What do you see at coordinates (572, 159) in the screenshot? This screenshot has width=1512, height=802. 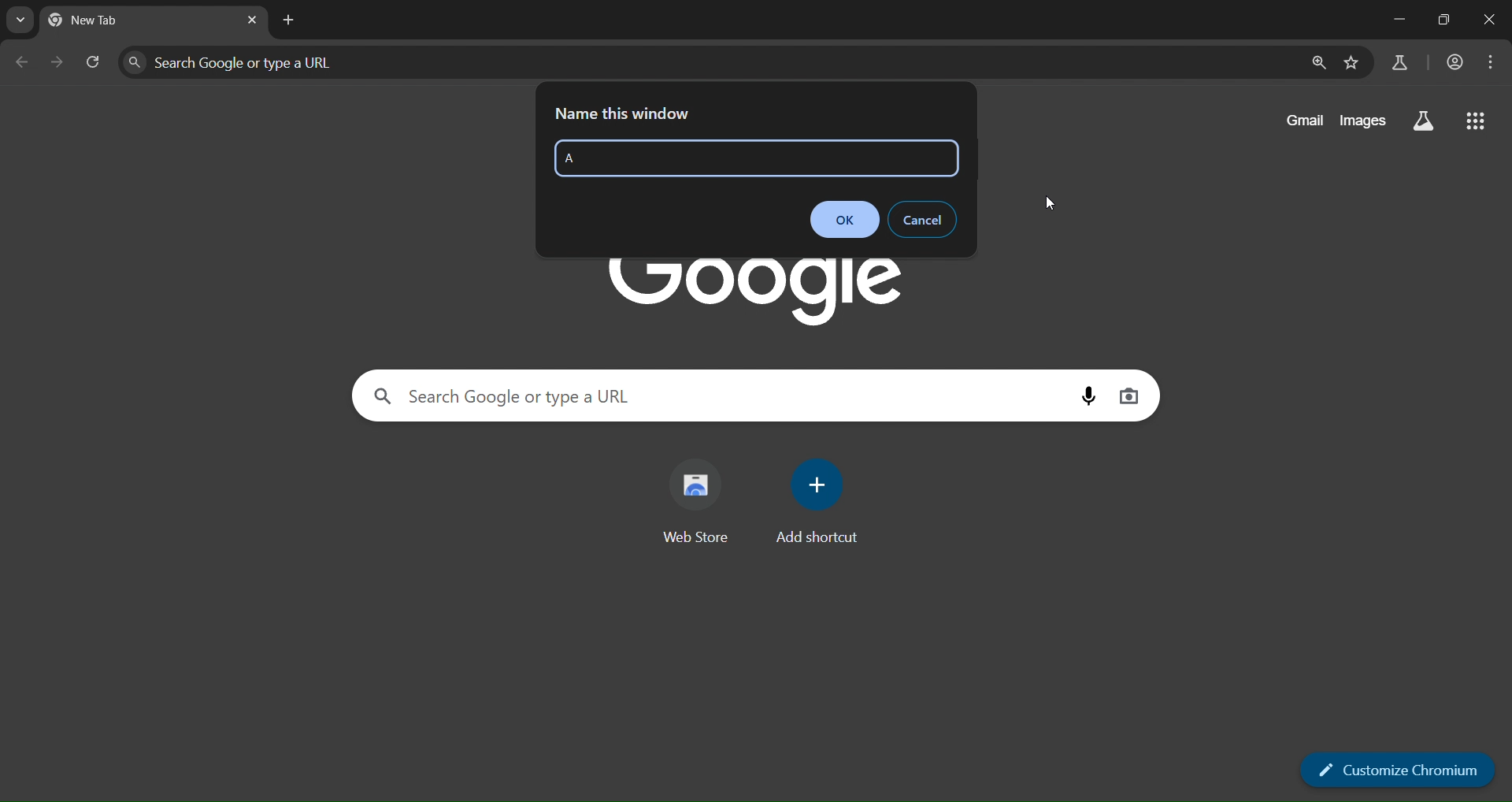 I see `A` at bounding box center [572, 159].